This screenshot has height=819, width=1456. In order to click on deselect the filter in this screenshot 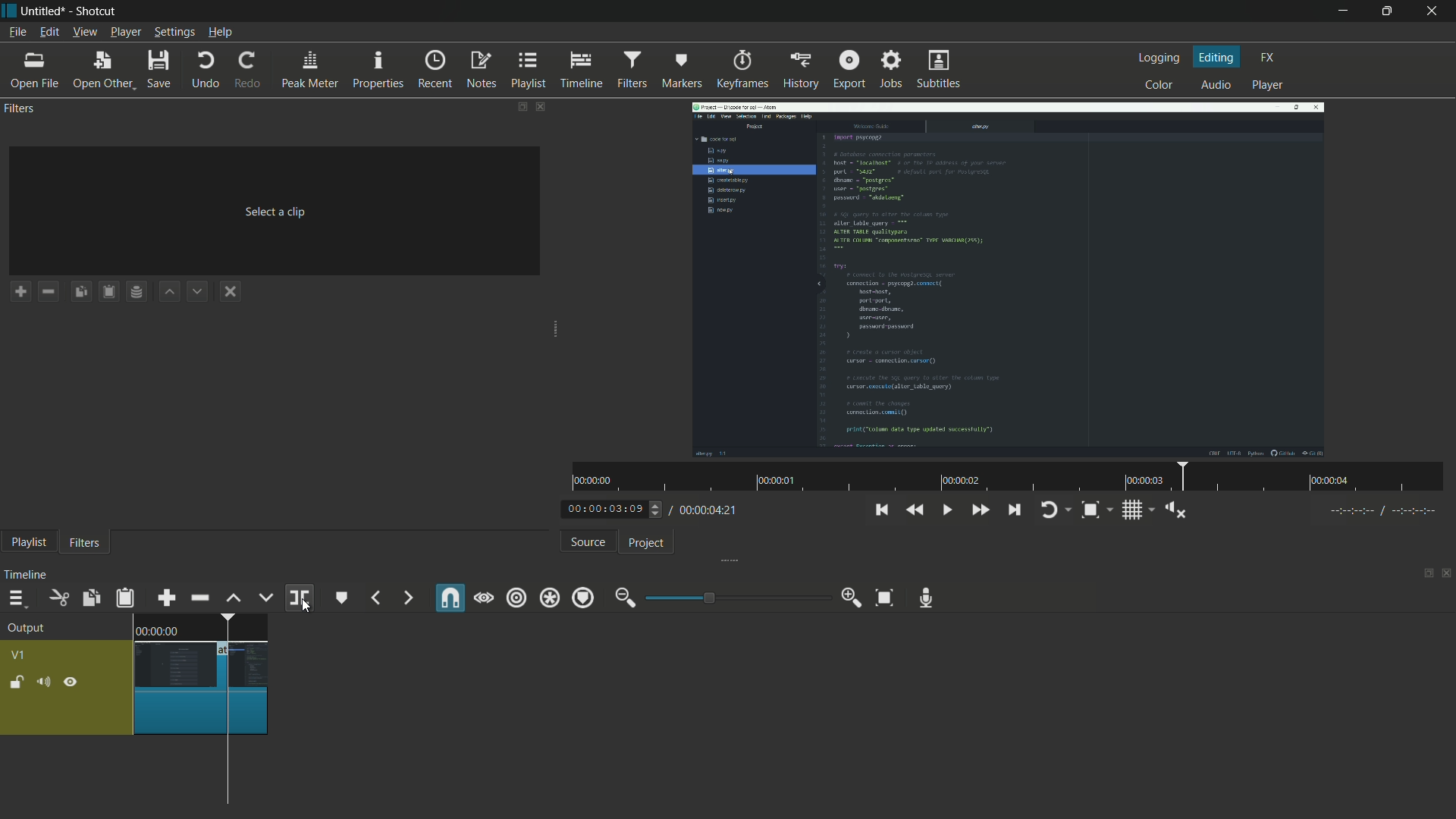, I will do `click(231, 293)`.